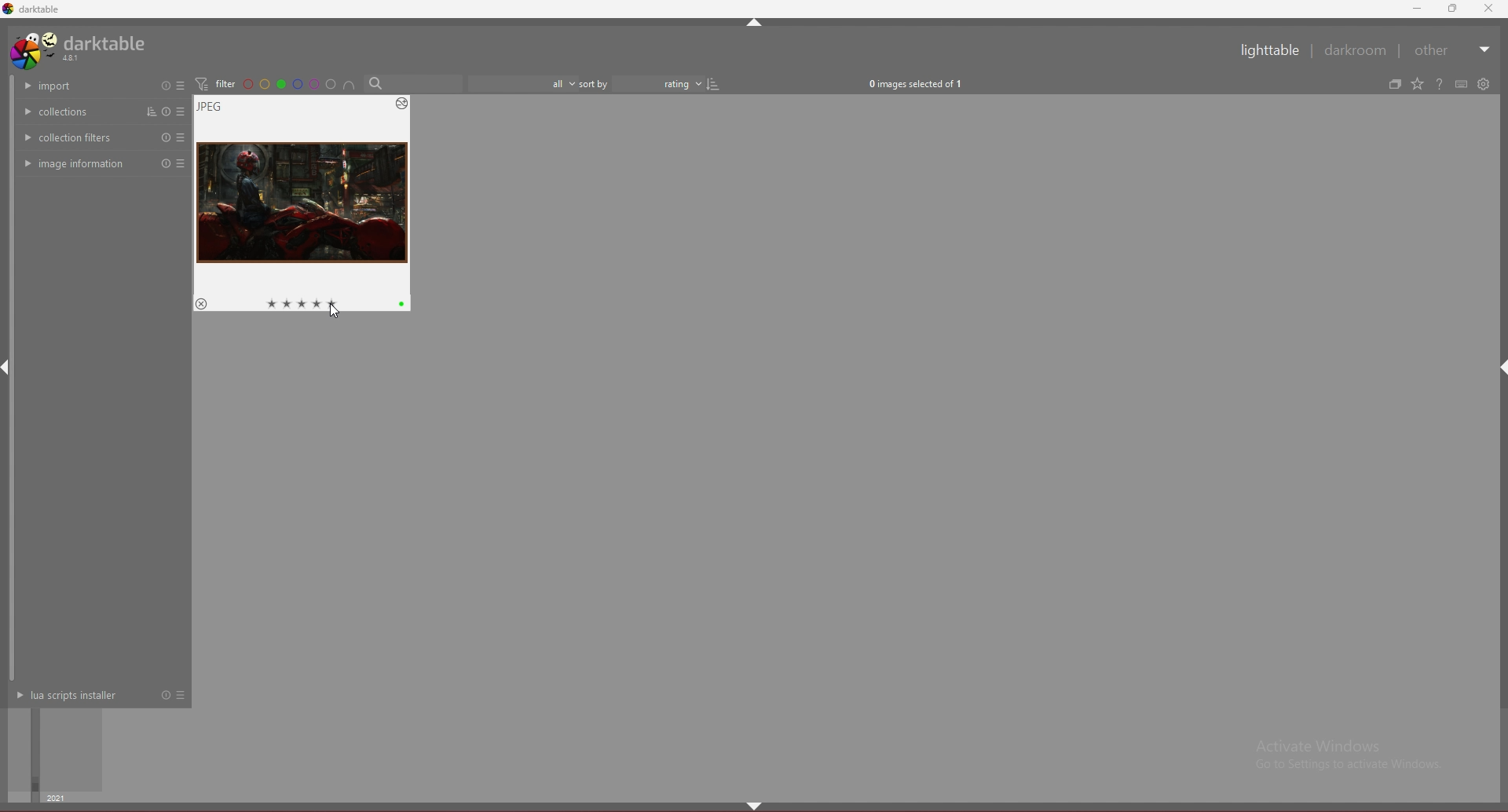 Image resolution: width=1508 pixels, height=812 pixels. I want to click on reset, so click(167, 163).